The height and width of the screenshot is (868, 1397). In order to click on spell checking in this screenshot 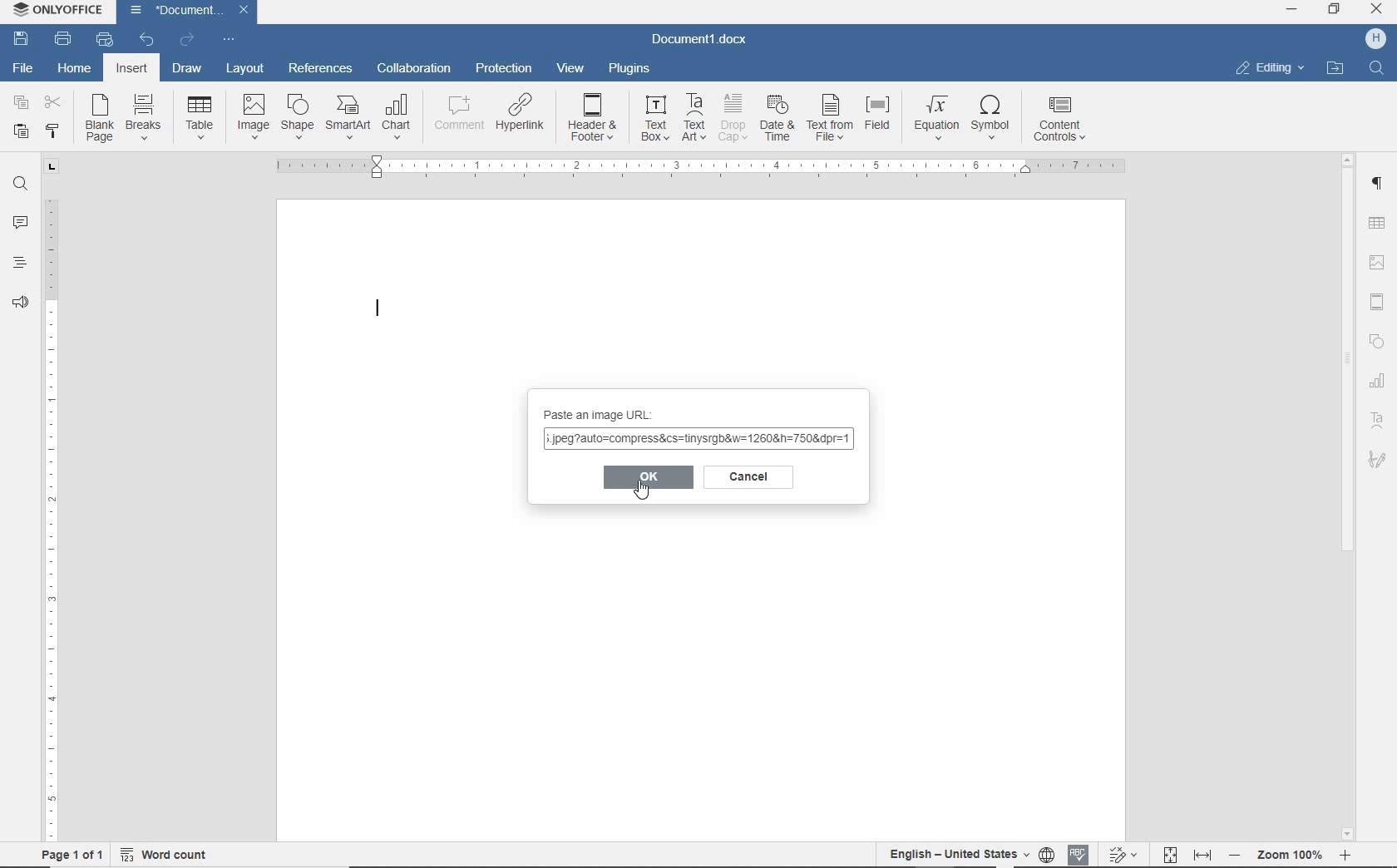, I will do `click(1077, 854)`.